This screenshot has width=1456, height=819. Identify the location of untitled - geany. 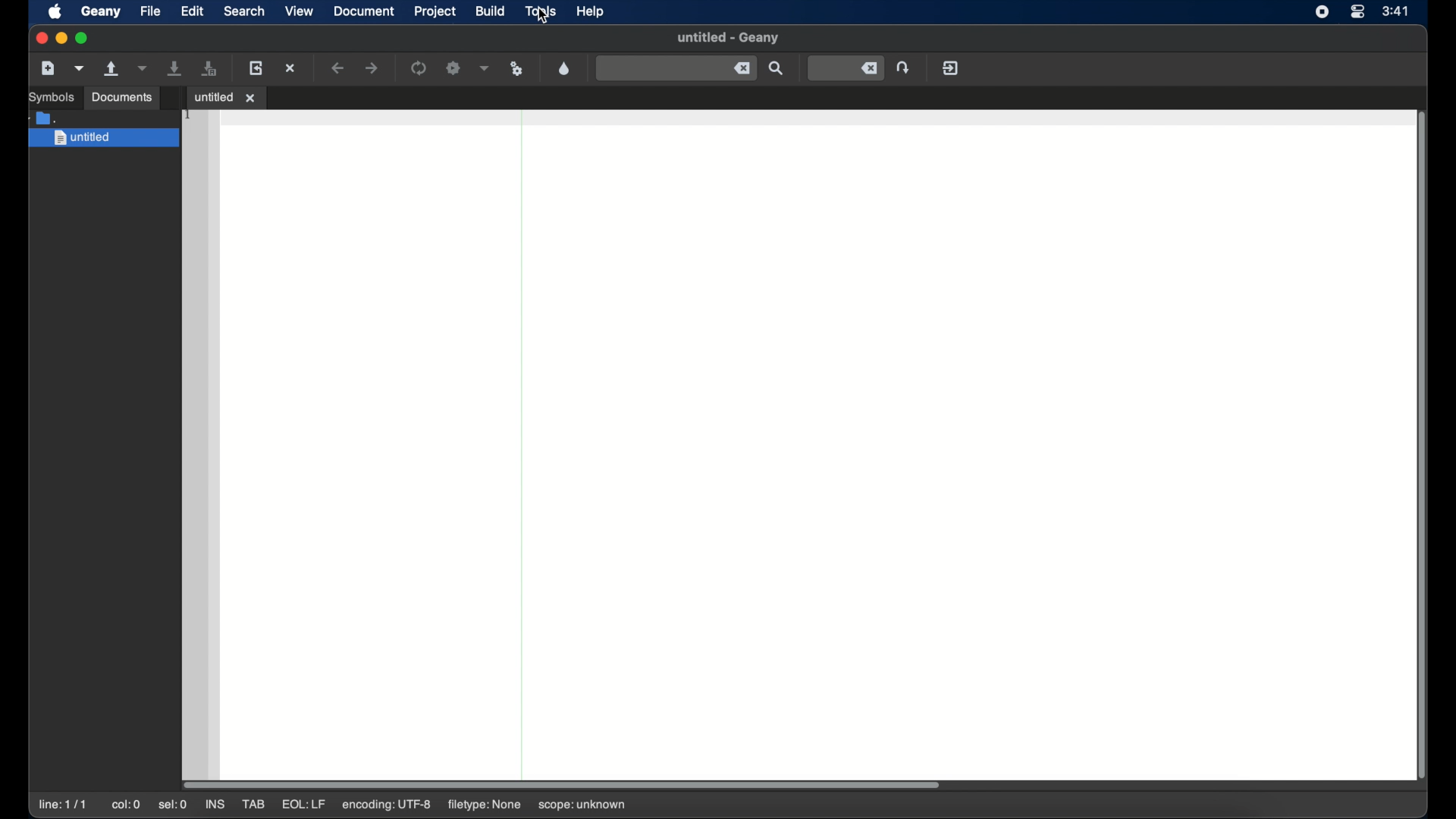
(728, 38).